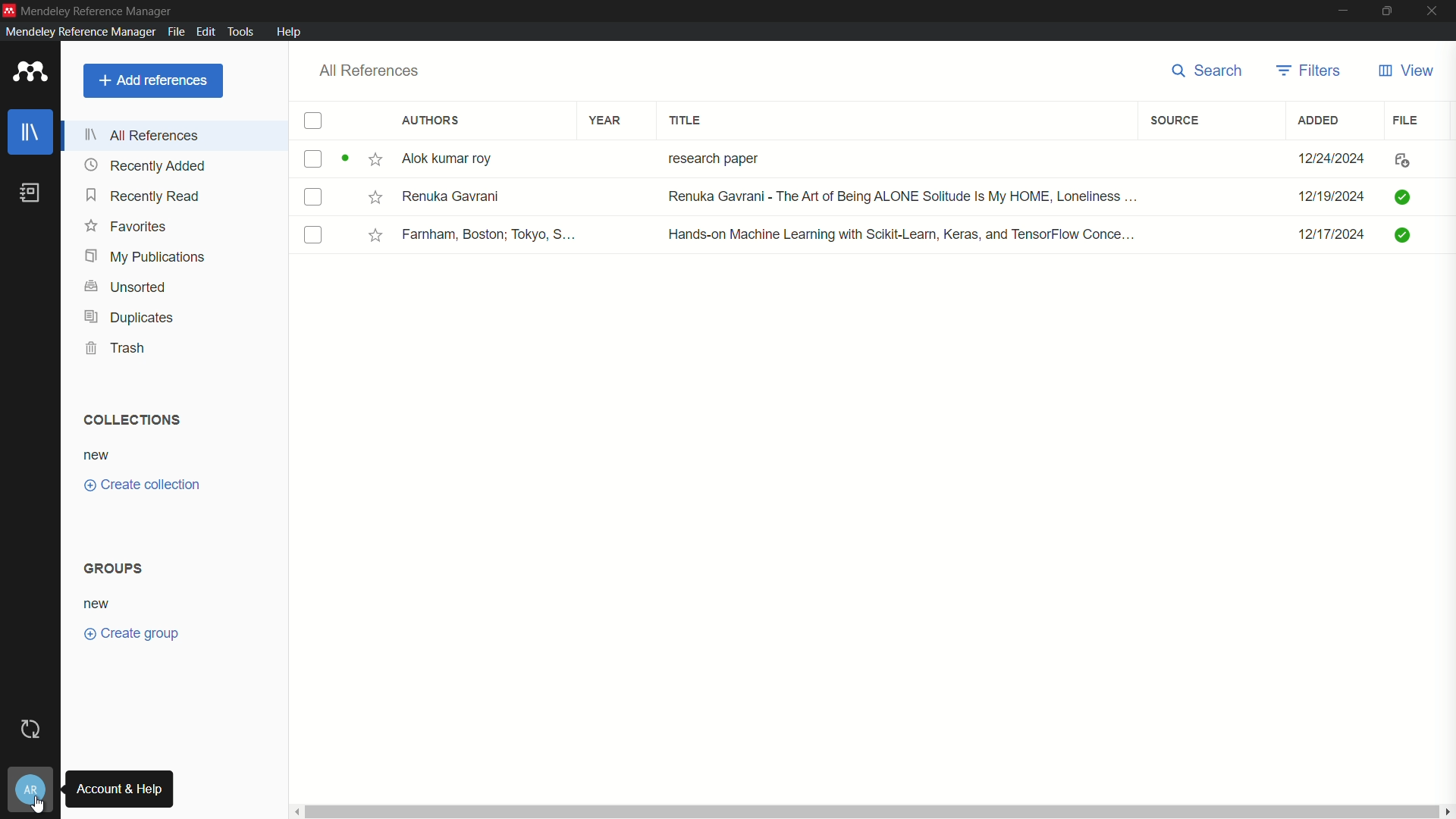 This screenshot has height=819, width=1456. What do you see at coordinates (206, 32) in the screenshot?
I see `edit menu` at bounding box center [206, 32].